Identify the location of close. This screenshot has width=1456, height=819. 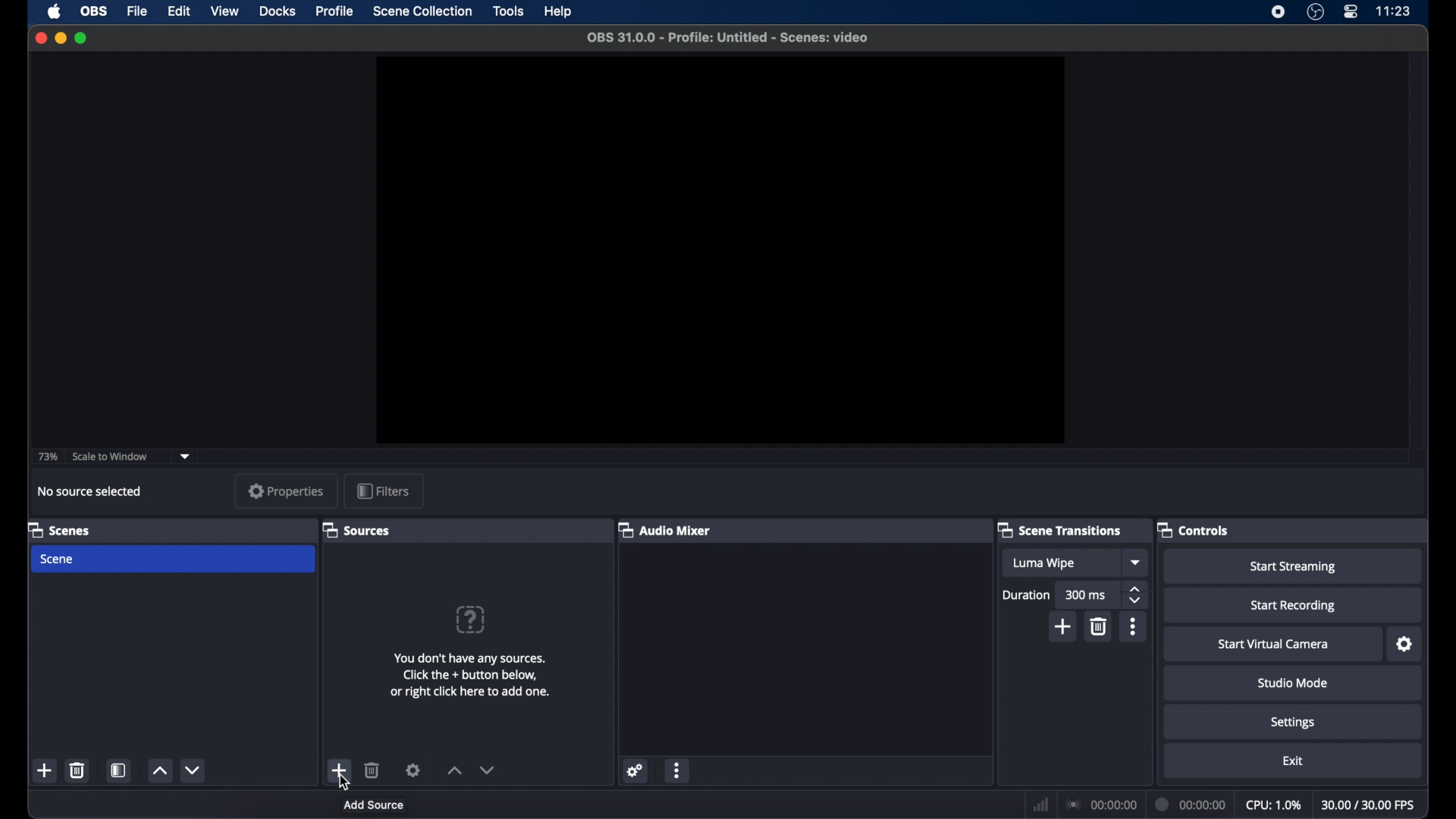
(40, 37).